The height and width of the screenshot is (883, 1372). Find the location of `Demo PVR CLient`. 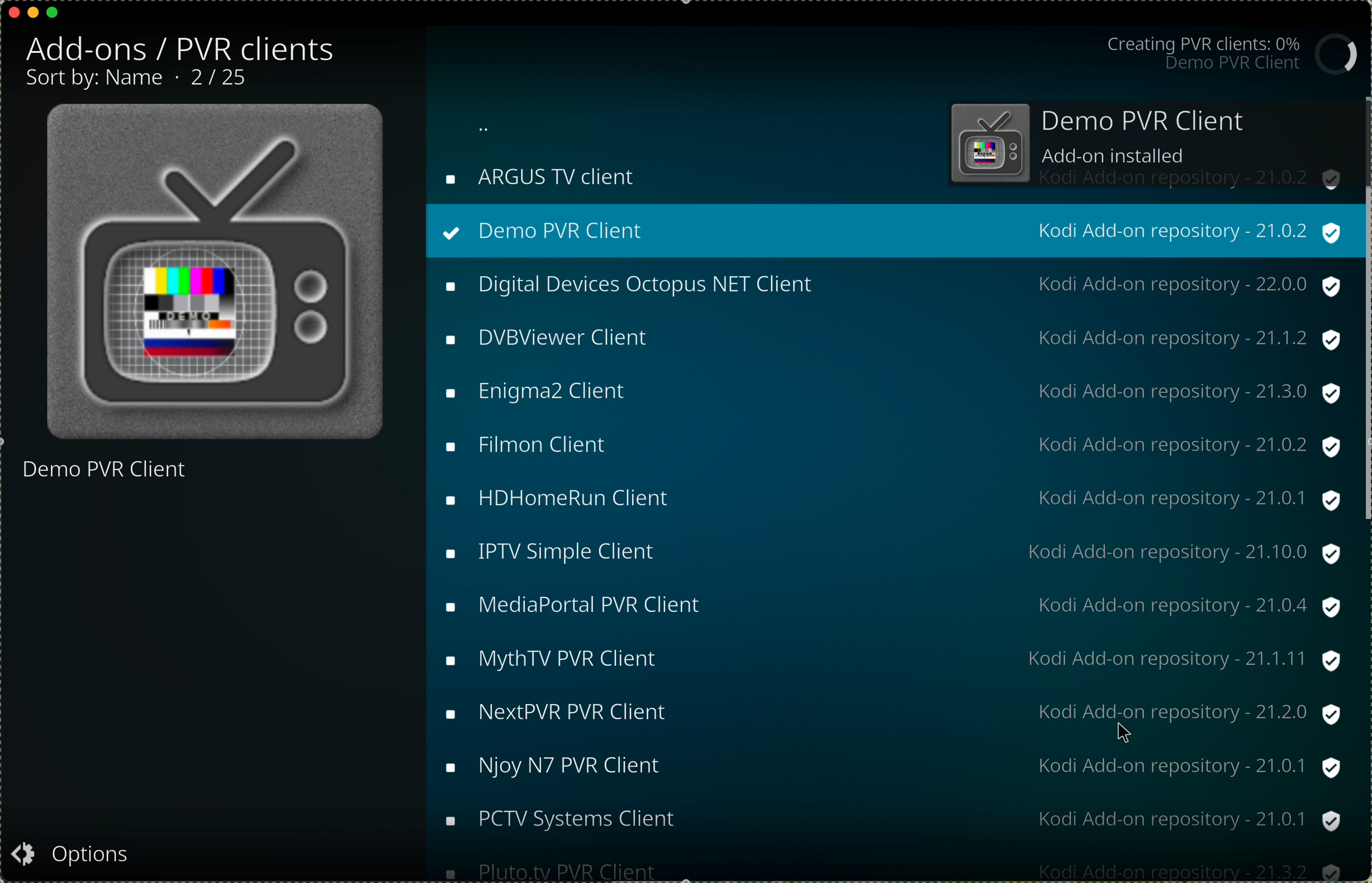

Demo PVR CLient is located at coordinates (129, 487).